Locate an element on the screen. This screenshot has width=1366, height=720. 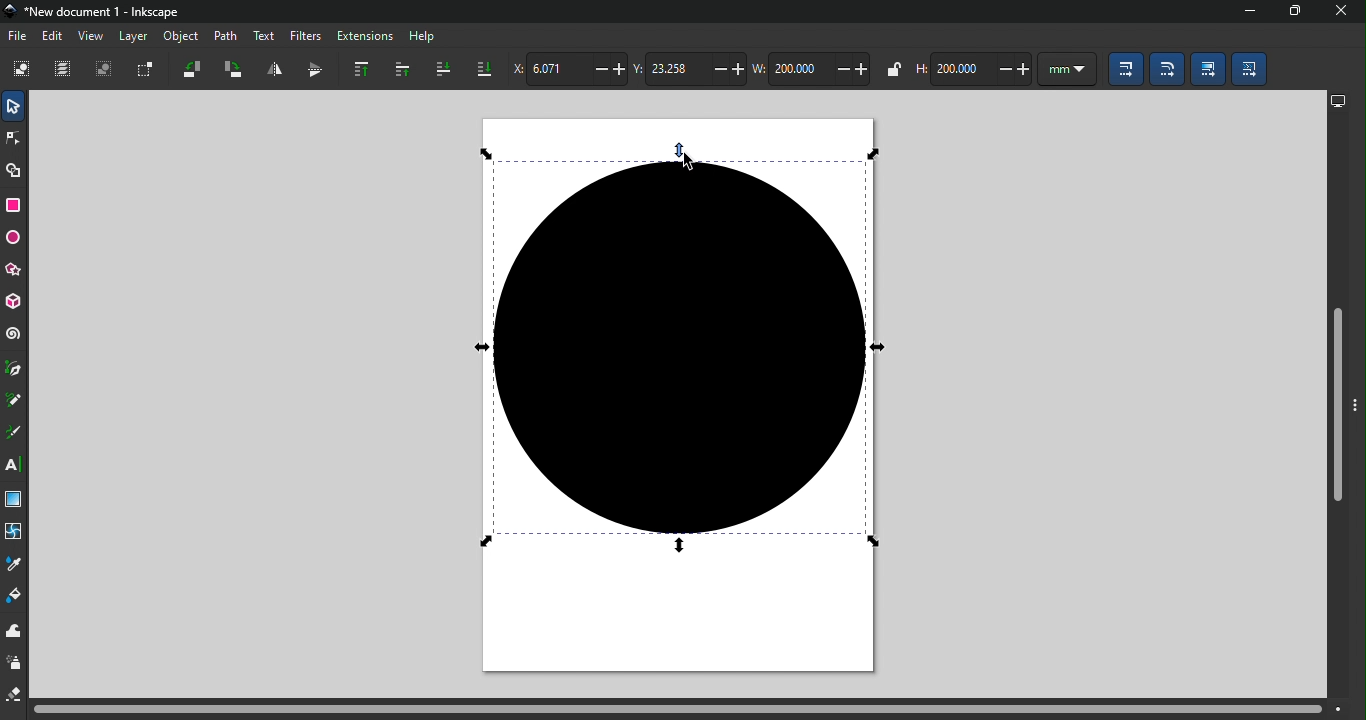
Deselect all selected objects is located at coordinates (105, 71).